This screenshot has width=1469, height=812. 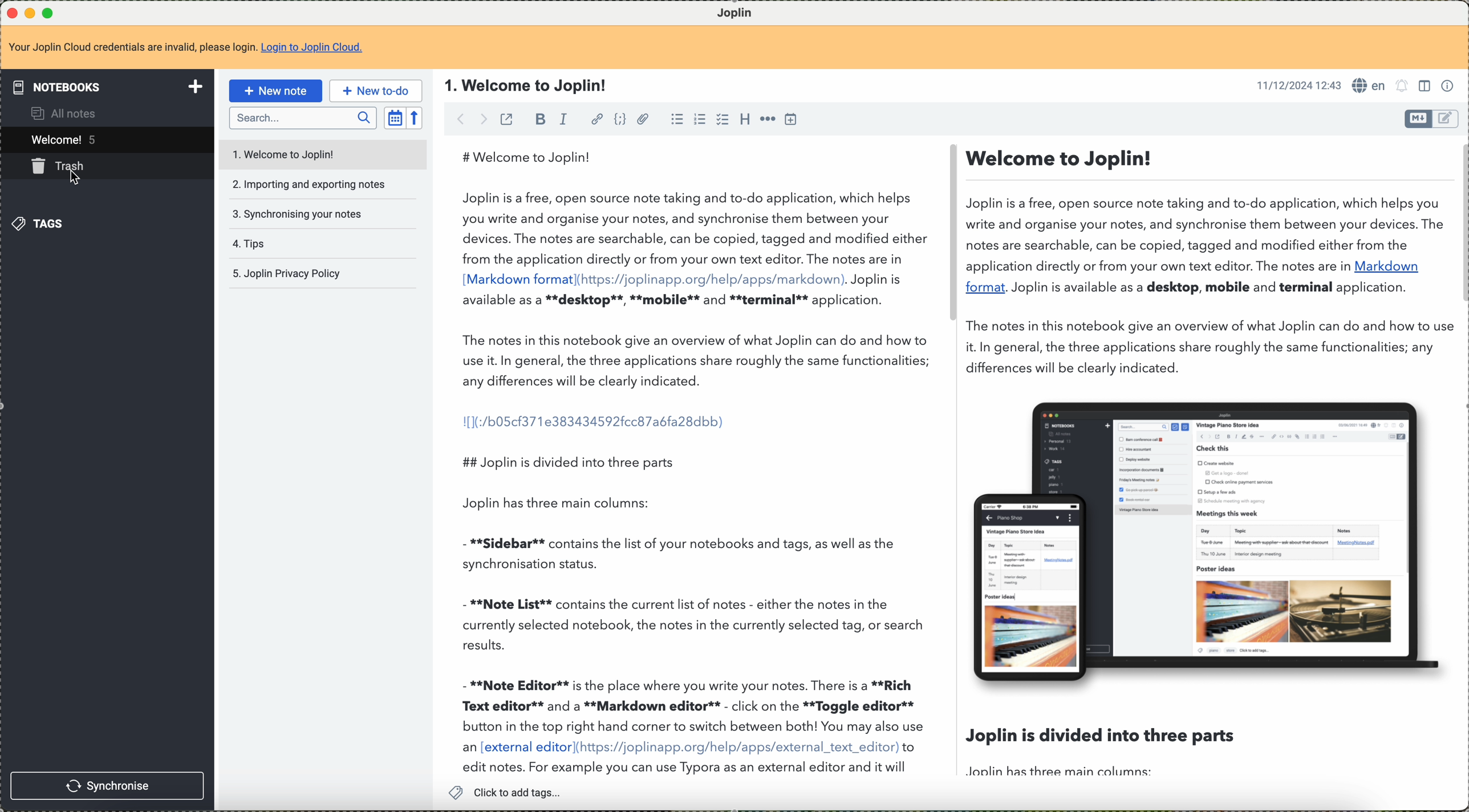 I want to click on toggle editor layout, so click(x=1427, y=87).